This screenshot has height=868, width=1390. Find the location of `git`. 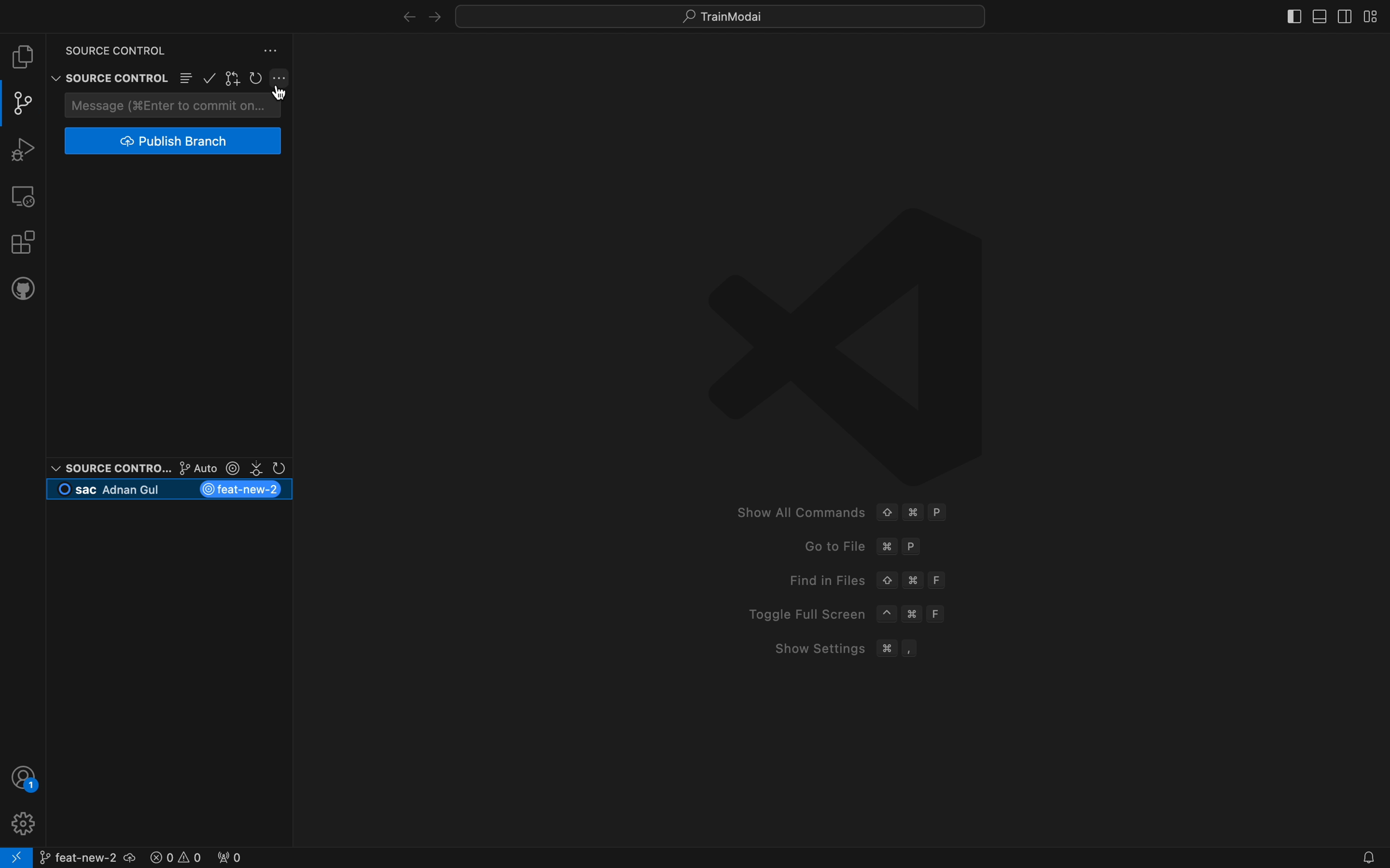

git is located at coordinates (25, 103).